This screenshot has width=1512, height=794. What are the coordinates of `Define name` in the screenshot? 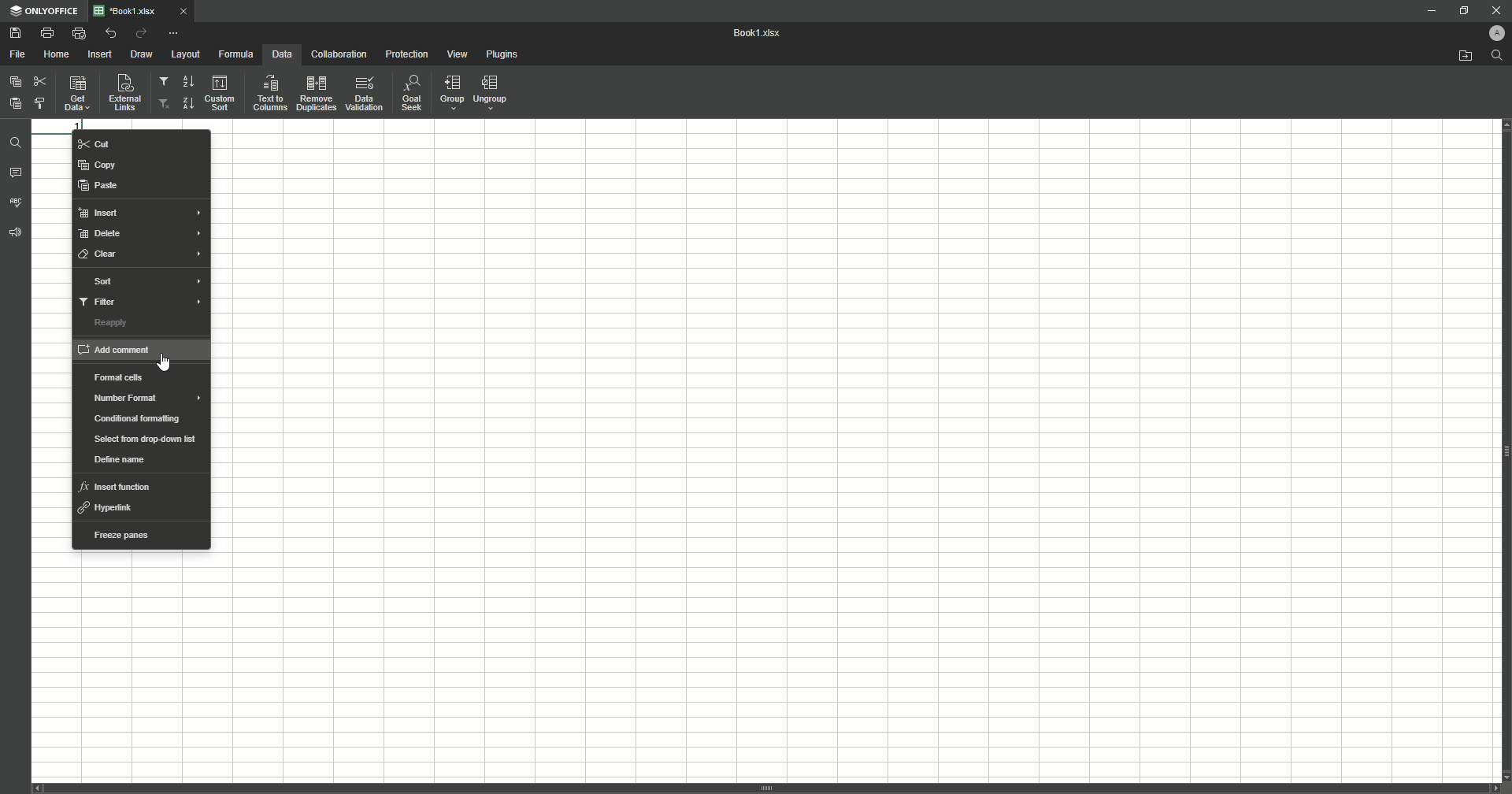 It's located at (116, 460).